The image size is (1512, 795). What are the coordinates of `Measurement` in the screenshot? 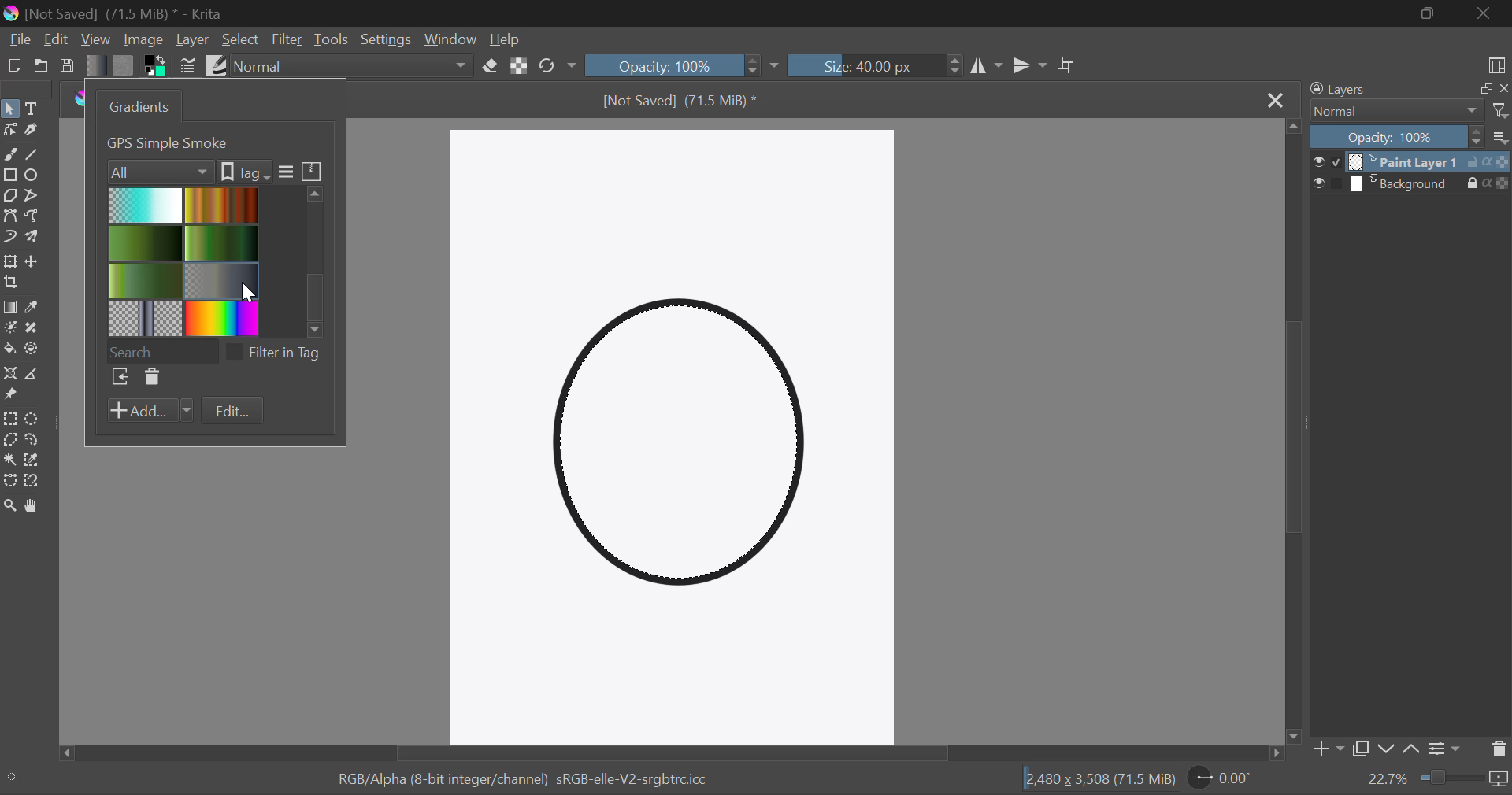 It's located at (37, 375).